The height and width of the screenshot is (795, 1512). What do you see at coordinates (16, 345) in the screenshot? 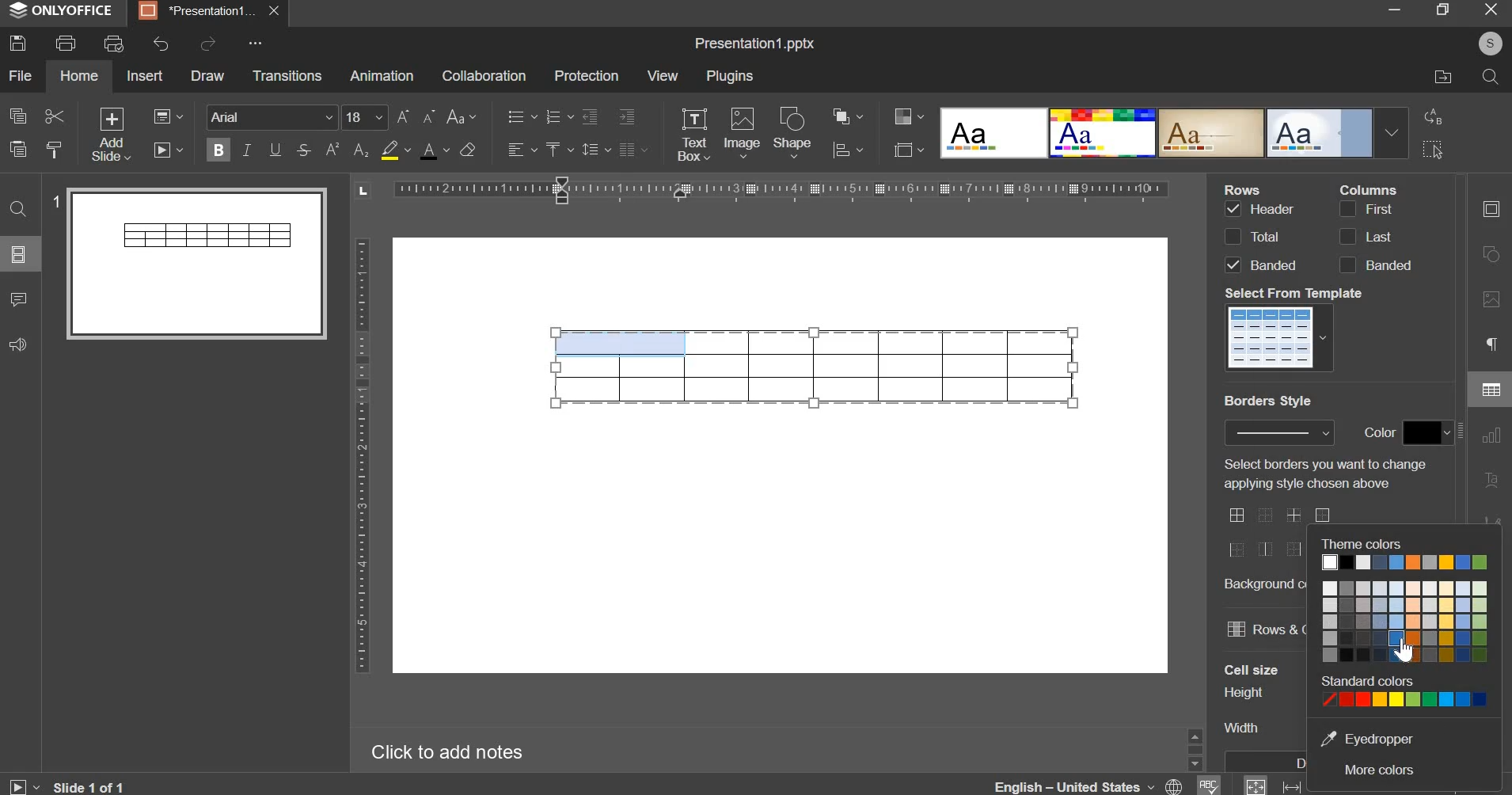
I see `feedback` at bounding box center [16, 345].